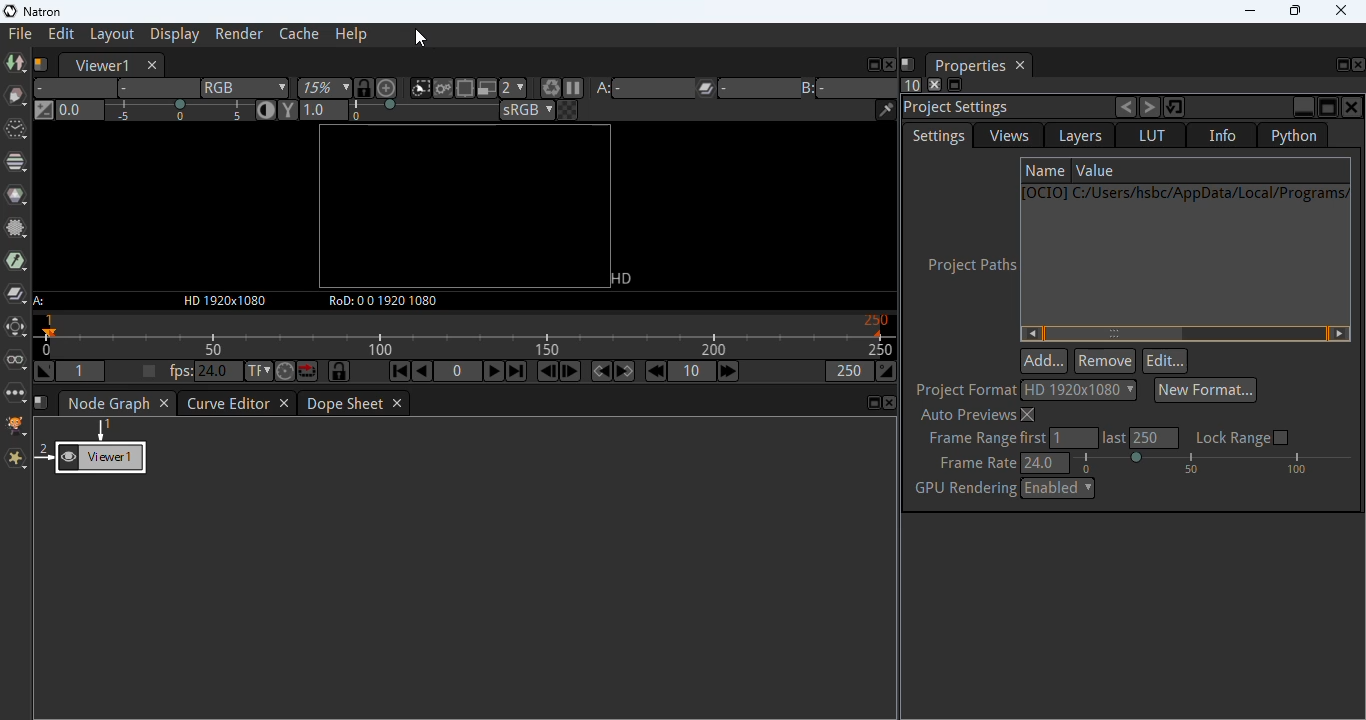 The width and height of the screenshot is (1366, 720). What do you see at coordinates (935, 84) in the screenshot?
I see `clears all the panels in the properties bin pane` at bounding box center [935, 84].